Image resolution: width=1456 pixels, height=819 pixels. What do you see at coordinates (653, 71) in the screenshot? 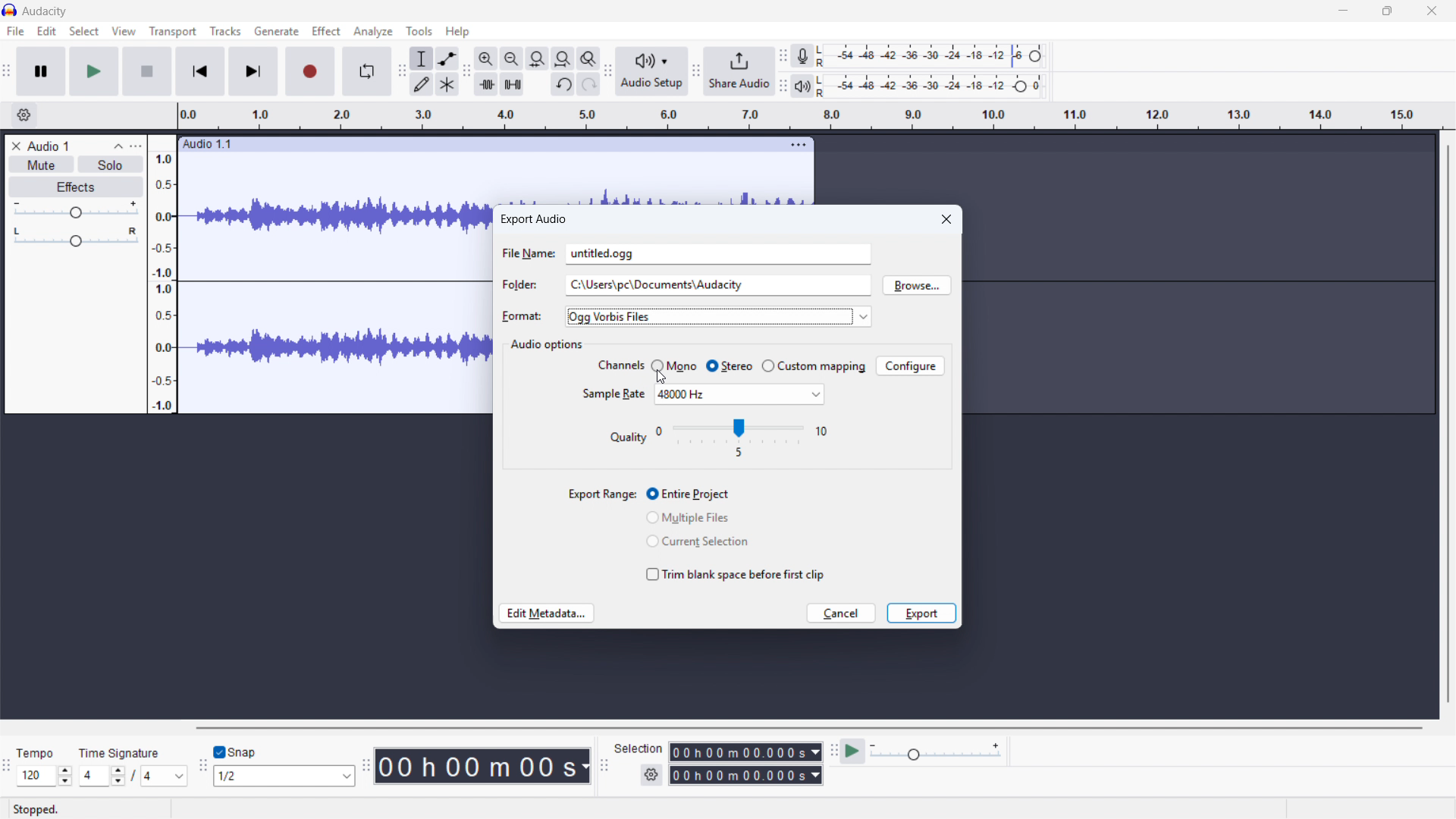
I see `Audio setup ` at bounding box center [653, 71].